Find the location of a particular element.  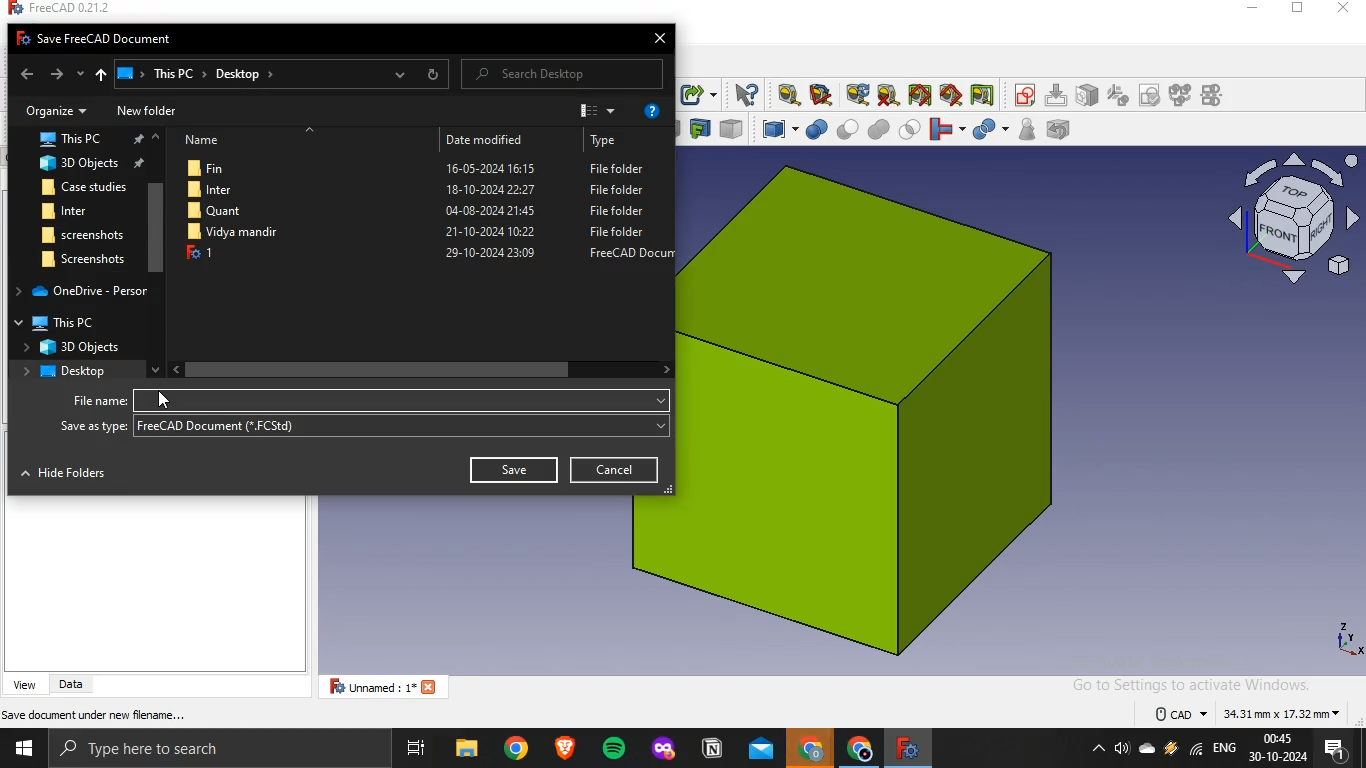

Inter is located at coordinates (412, 190).